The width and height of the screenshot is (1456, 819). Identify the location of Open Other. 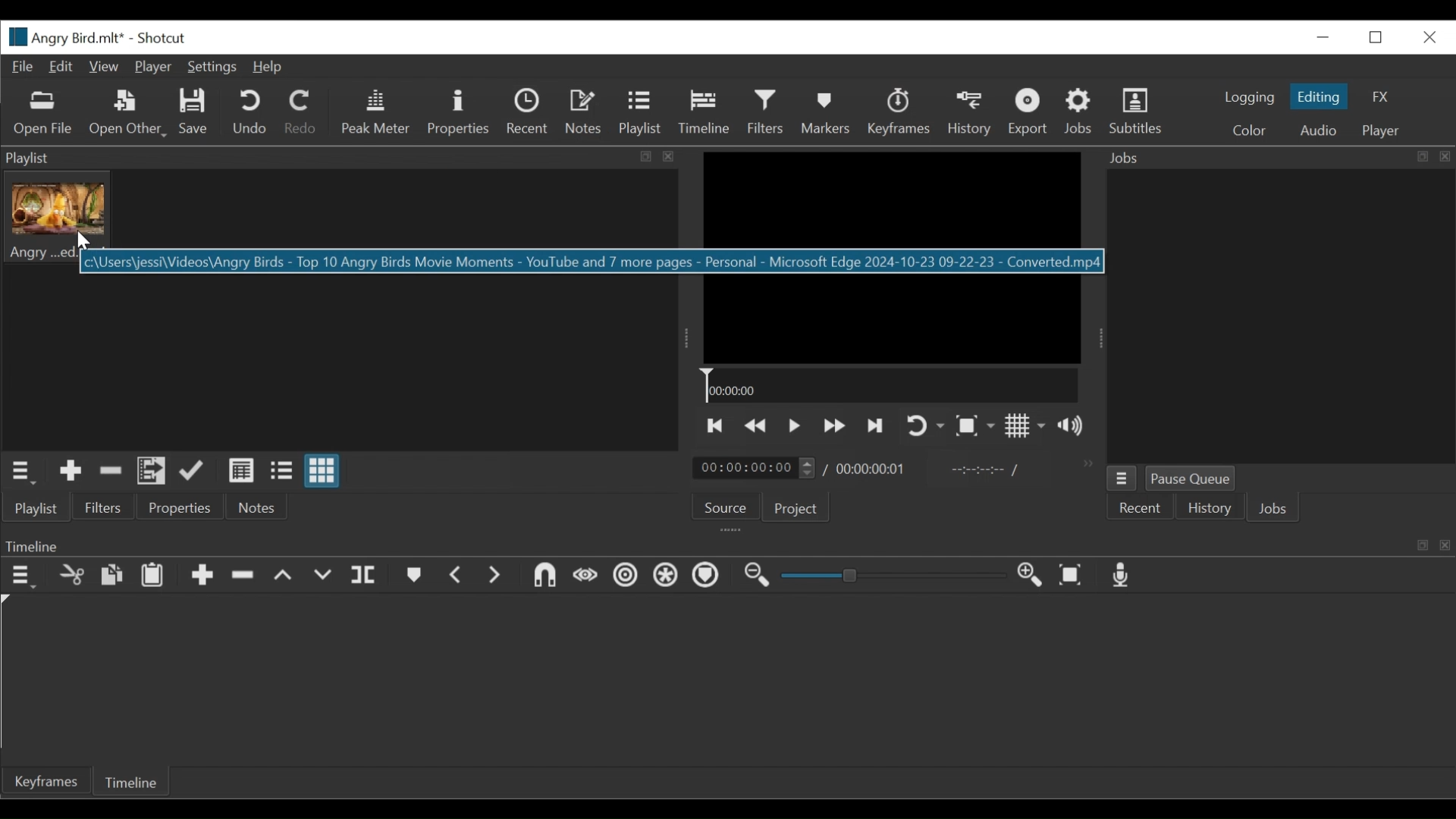
(127, 112).